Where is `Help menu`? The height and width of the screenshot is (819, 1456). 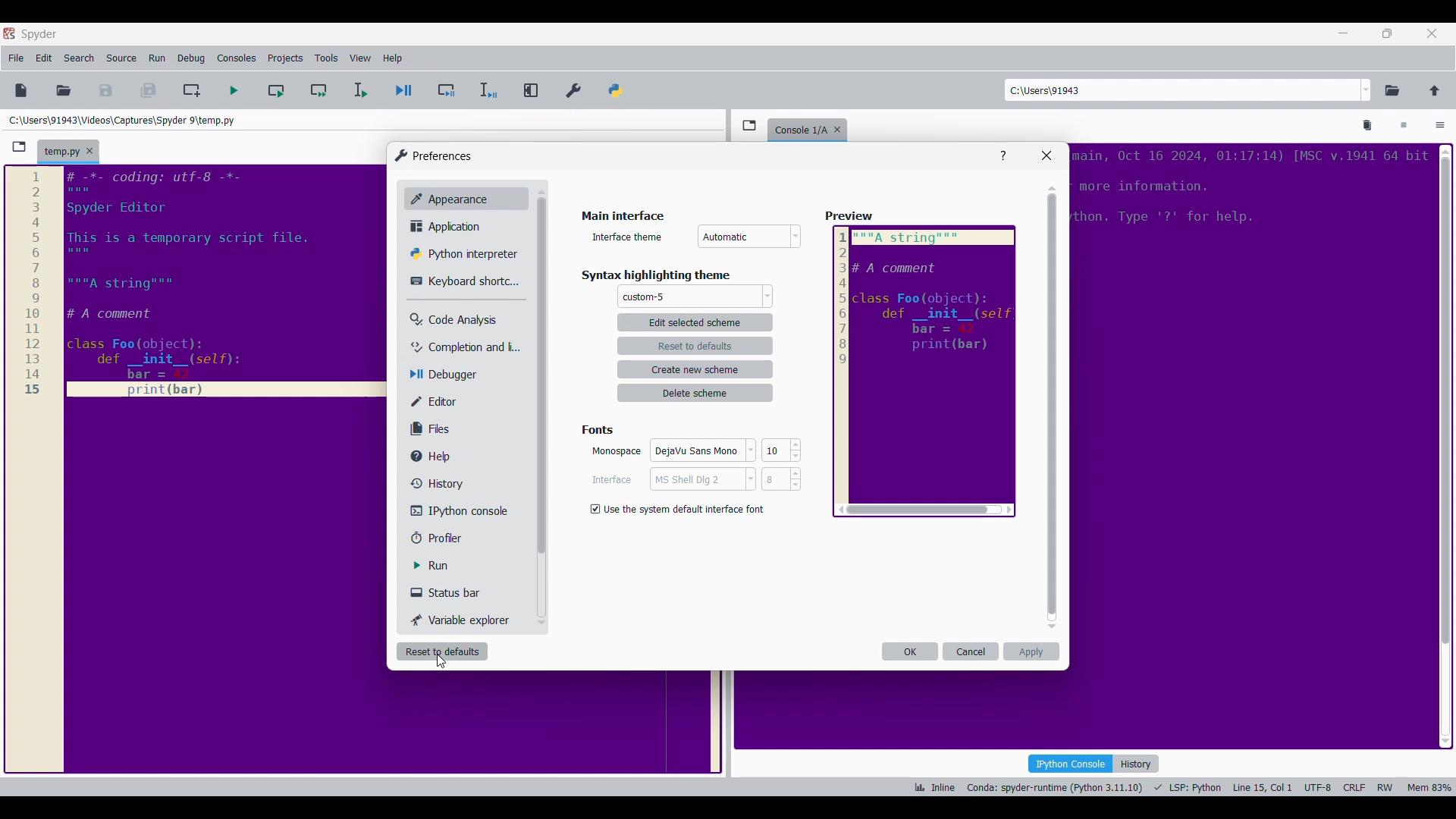
Help menu is located at coordinates (393, 58).